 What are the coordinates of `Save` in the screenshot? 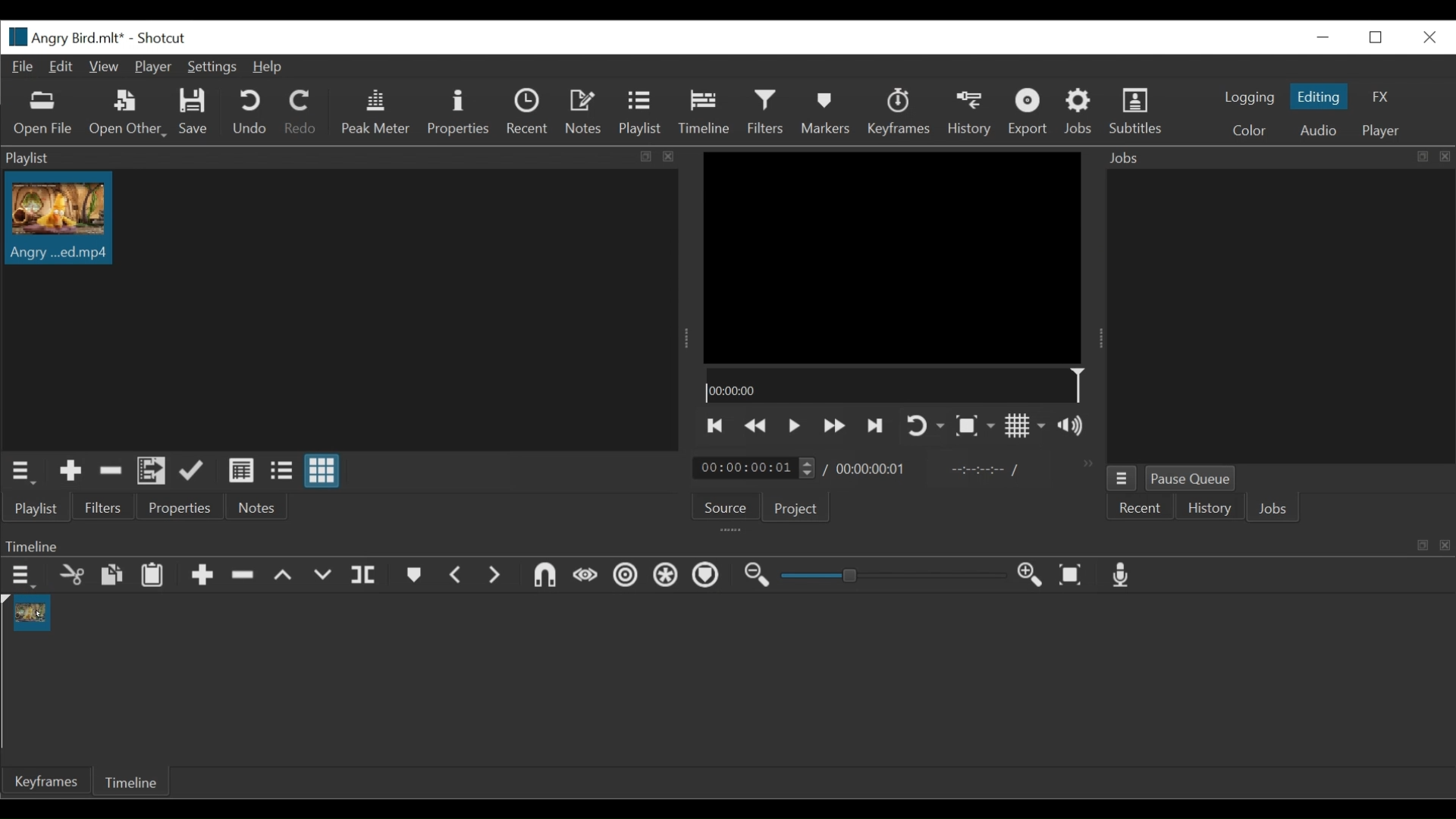 It's located at (197, 114).